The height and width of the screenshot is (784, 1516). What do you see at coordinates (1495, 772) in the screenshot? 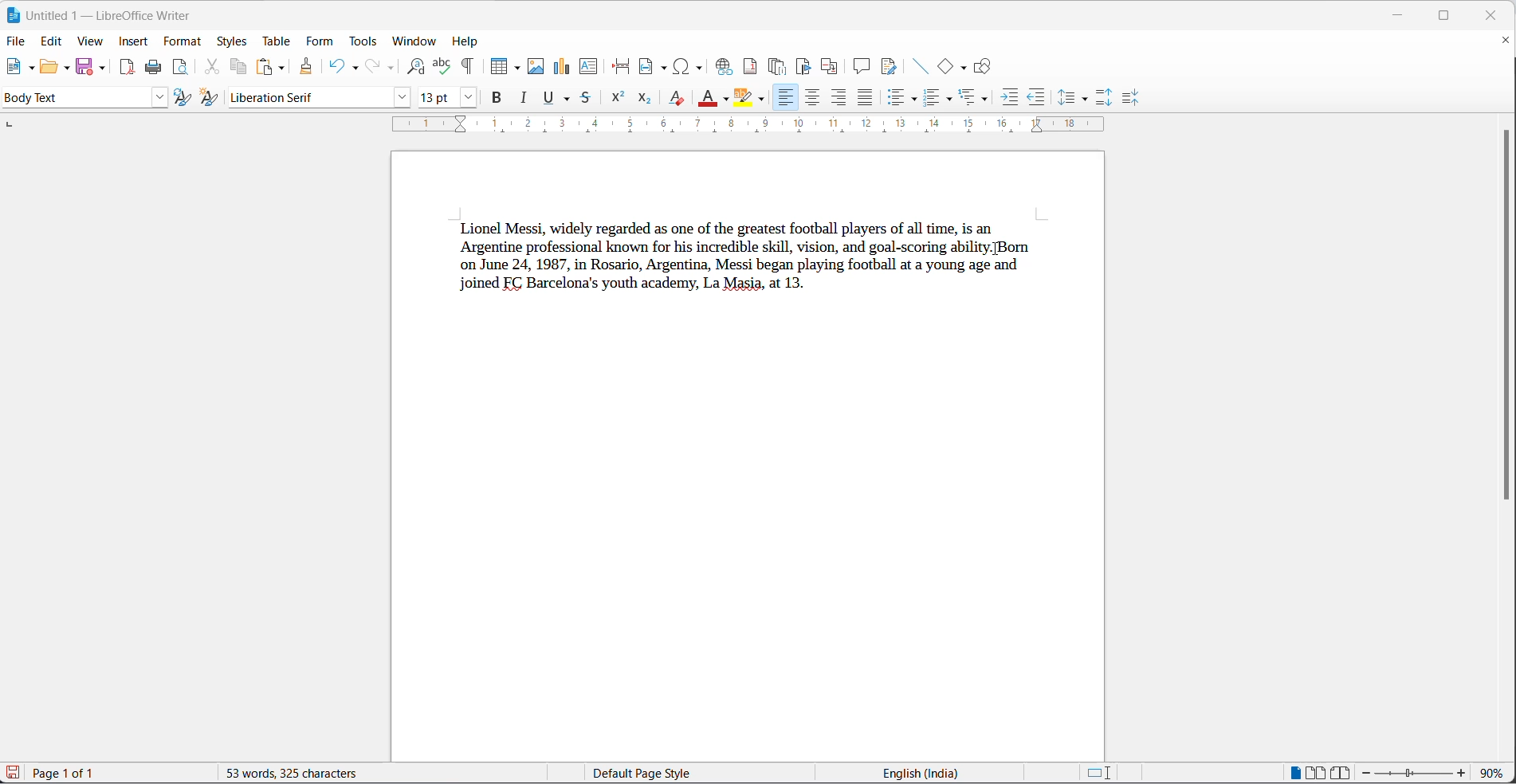
I see `zoom percentage` at bounding box center [1495, 772].